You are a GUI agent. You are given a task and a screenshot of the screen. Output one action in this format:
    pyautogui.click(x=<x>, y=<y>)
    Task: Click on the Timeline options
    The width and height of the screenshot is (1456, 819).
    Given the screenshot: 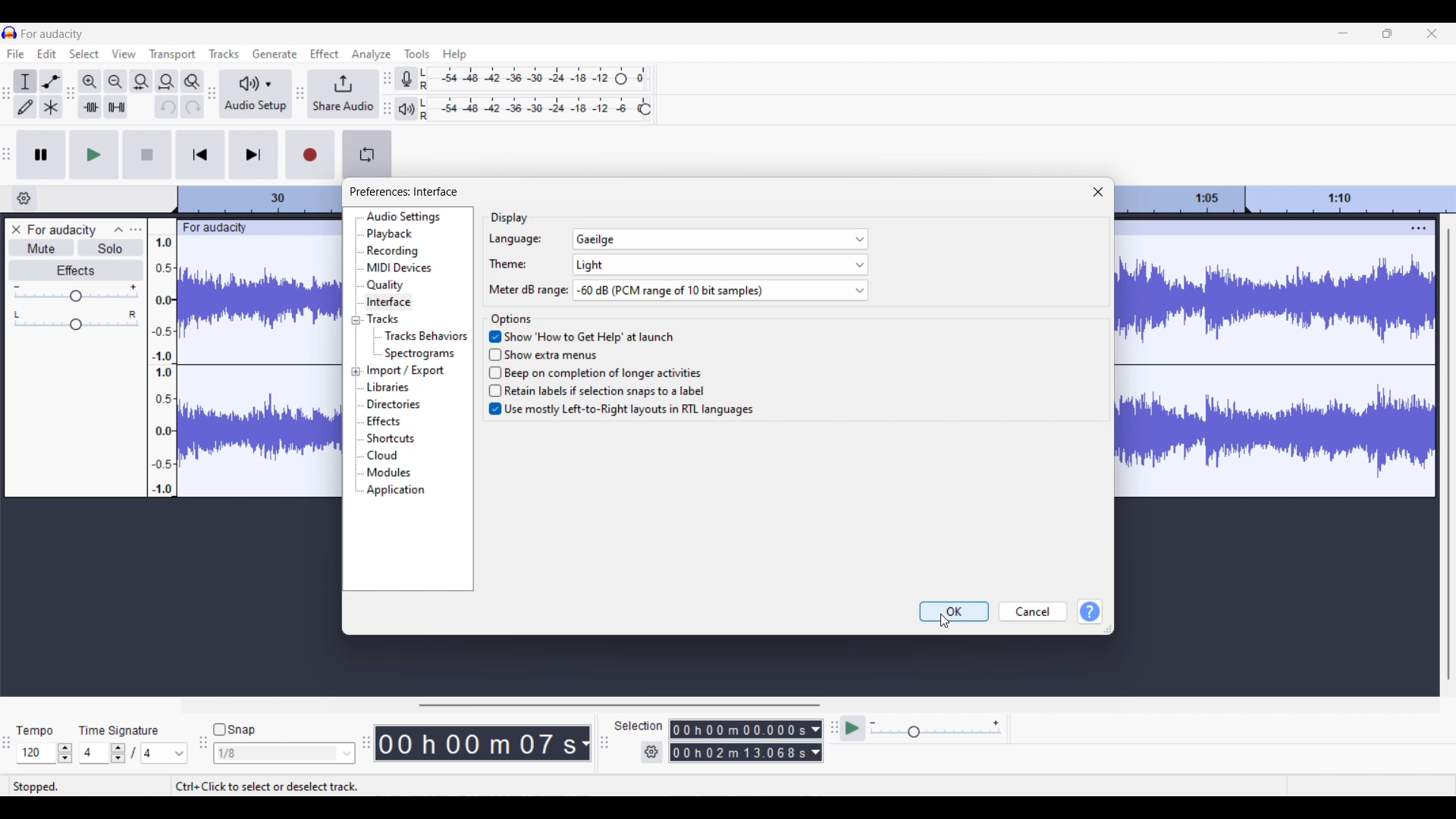 What is the action you would take?
    pyautogui.click(x=24, y=199)
    